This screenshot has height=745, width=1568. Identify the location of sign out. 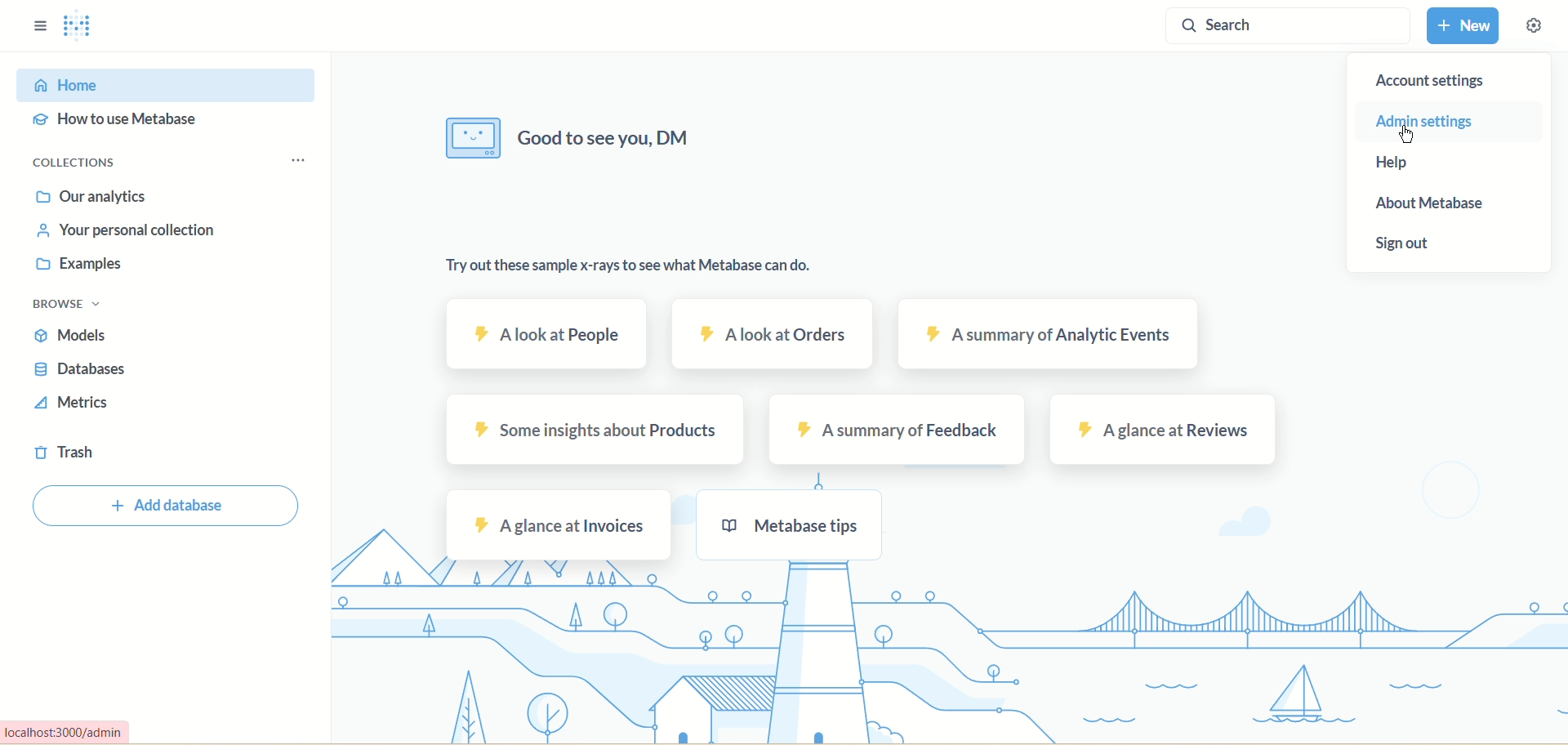
(1404, 243).